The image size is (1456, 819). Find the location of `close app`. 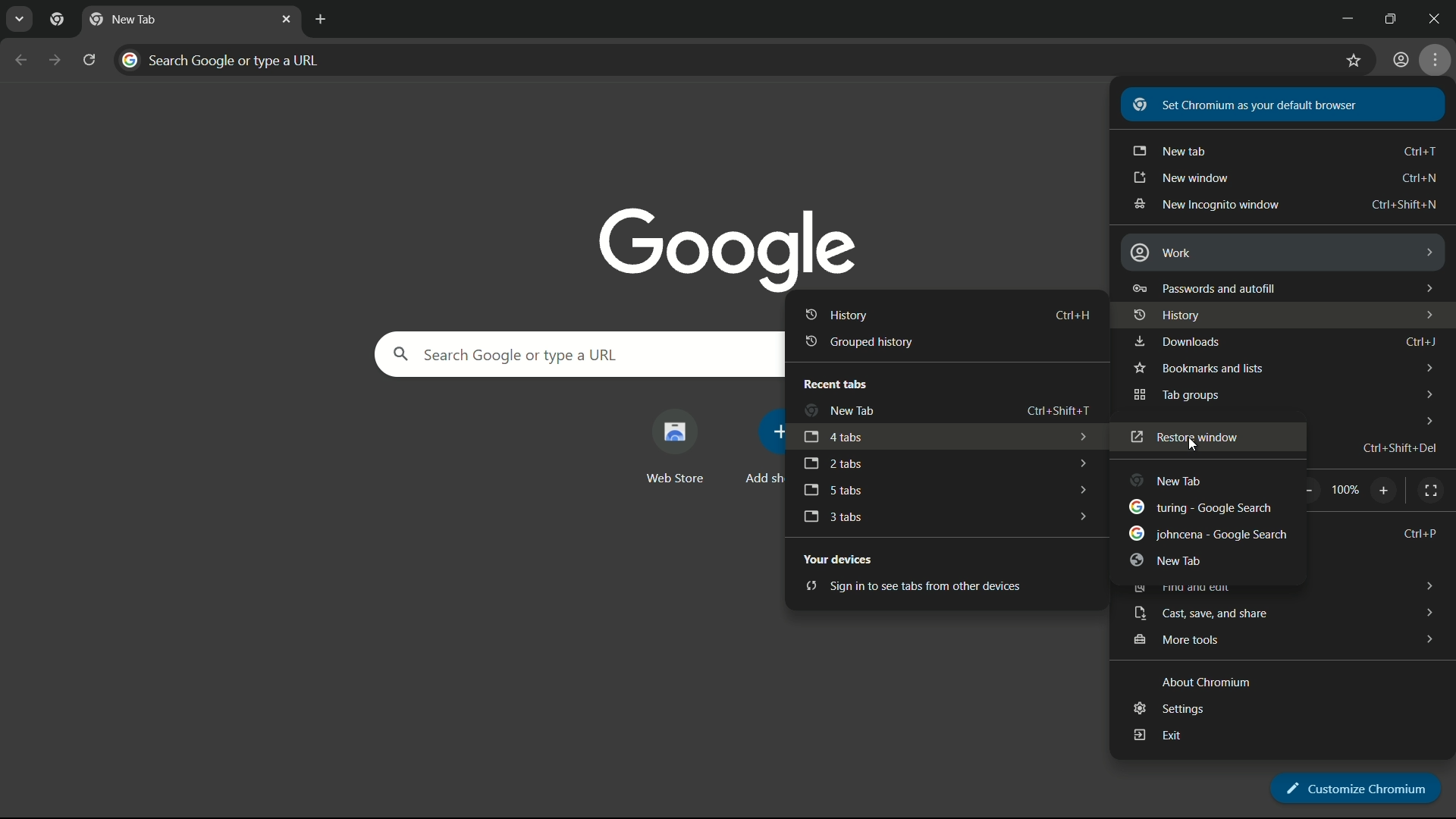

close app is located at coordinates (1438, 17).